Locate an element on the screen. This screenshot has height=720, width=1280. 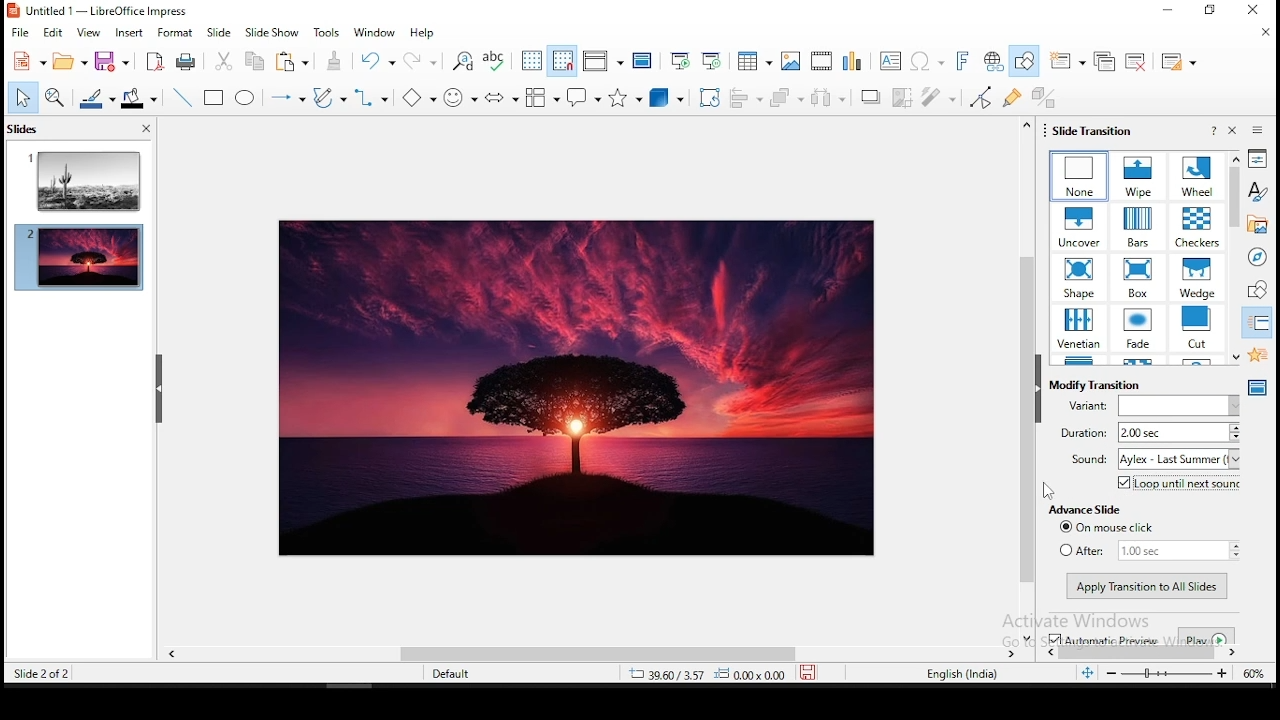
transition effects is located at coordinates (1200, 176).